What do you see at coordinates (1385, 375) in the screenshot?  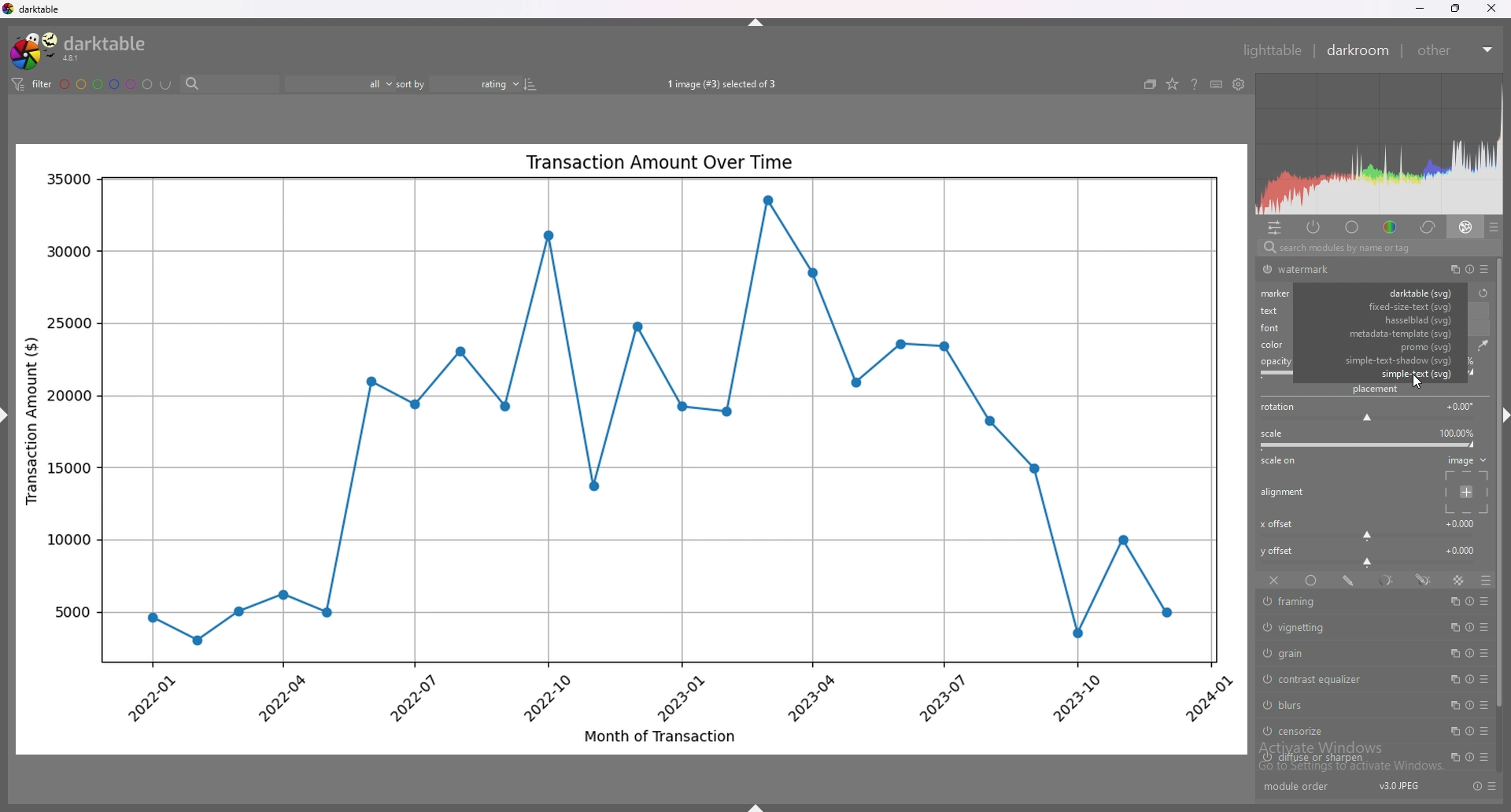 I see `simple text svg` at bounding box center [1385, 375].